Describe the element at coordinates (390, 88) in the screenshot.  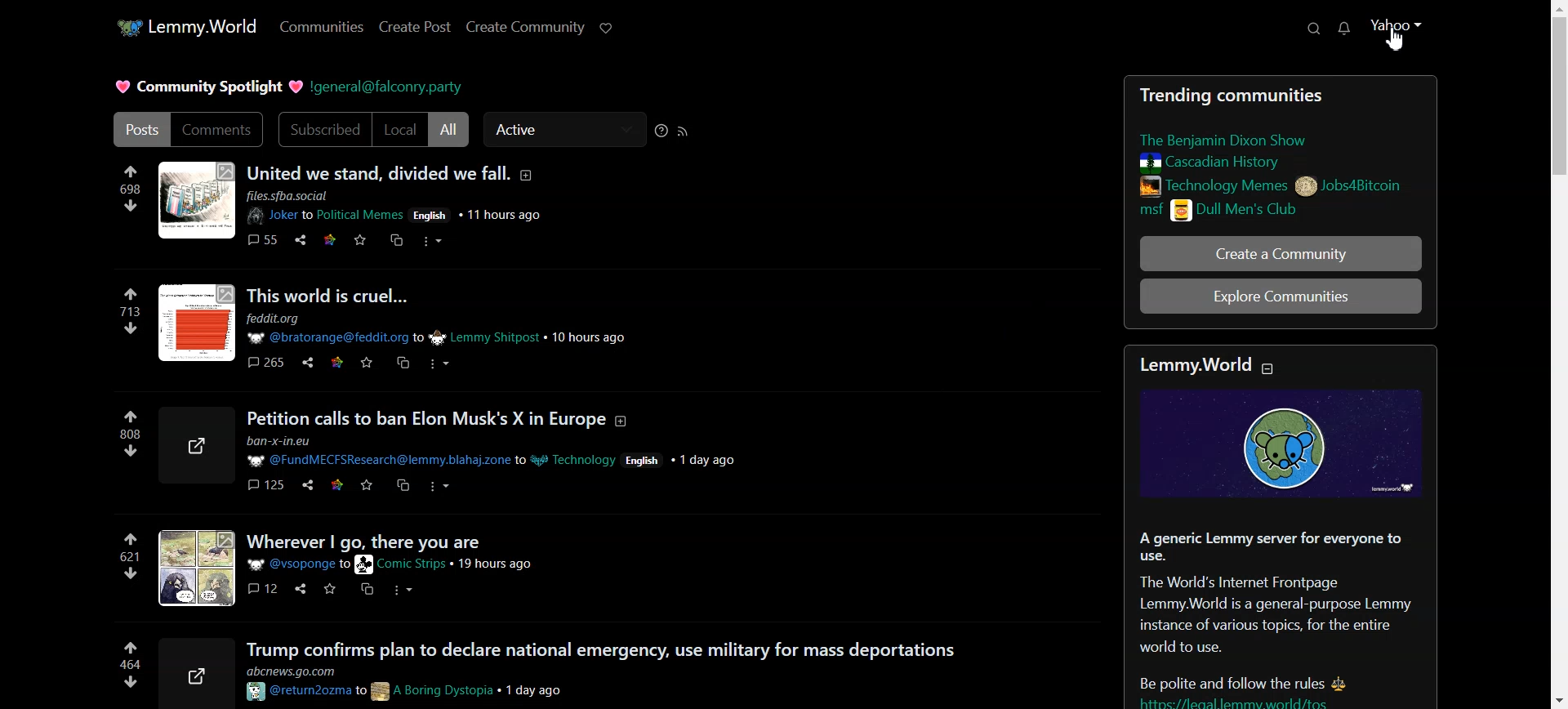
I see `Hyperlink` at that location.